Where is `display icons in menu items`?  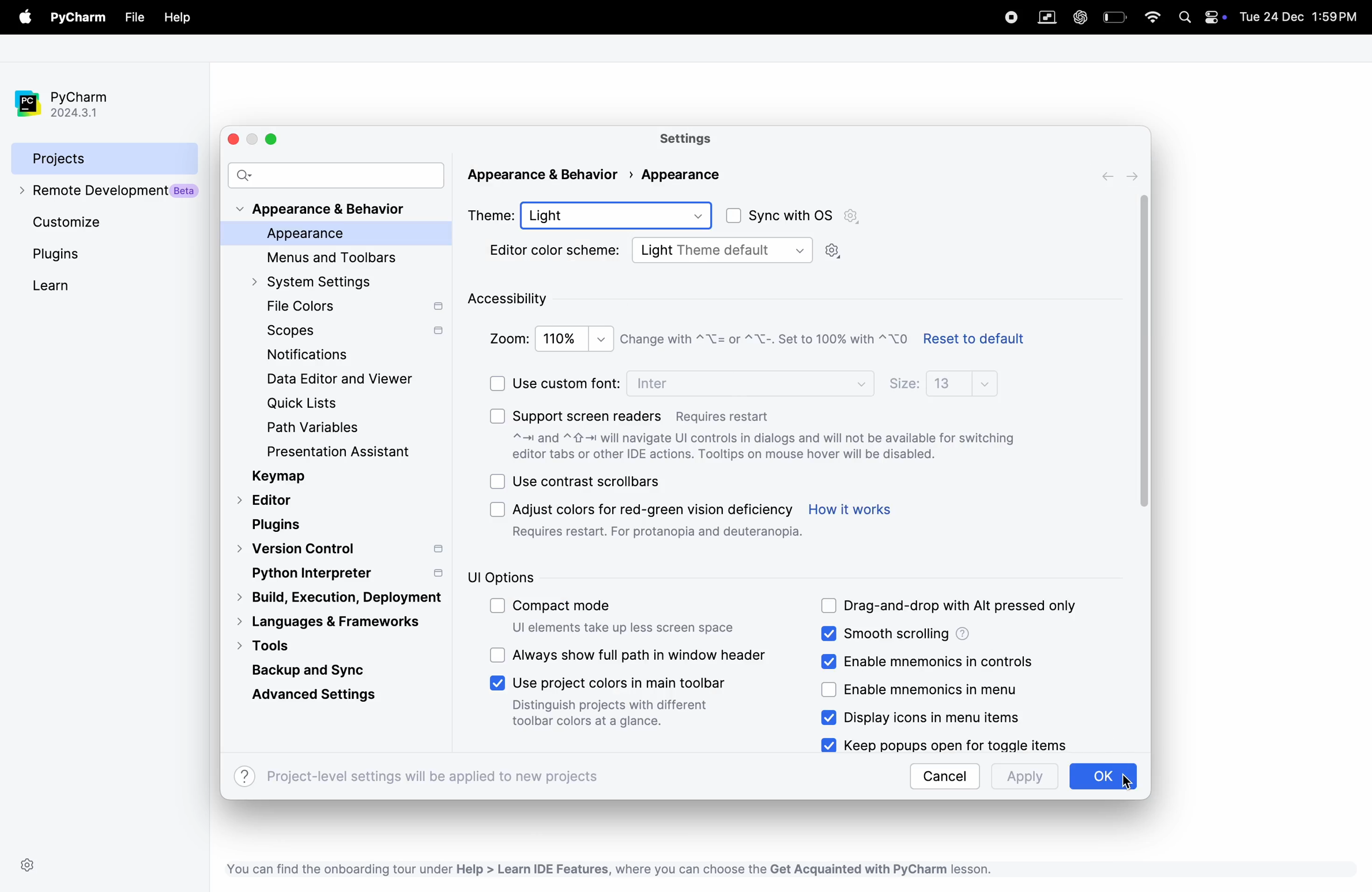
display icons in menu items is located at coordinates (951, 718).